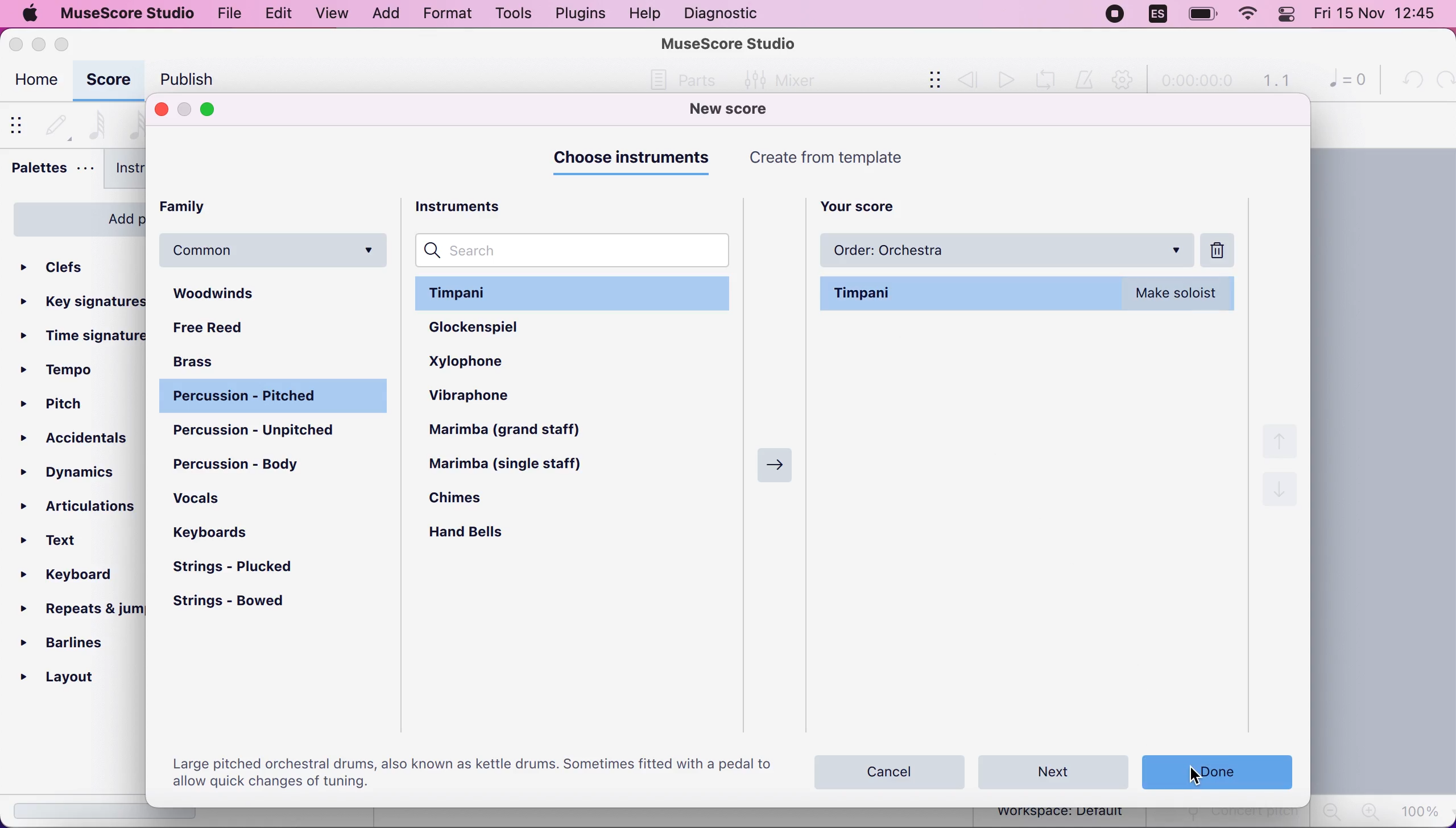 Image resolution: width=1456 pixels, height=828 pixels. I want to click on review, so click(968, 79).